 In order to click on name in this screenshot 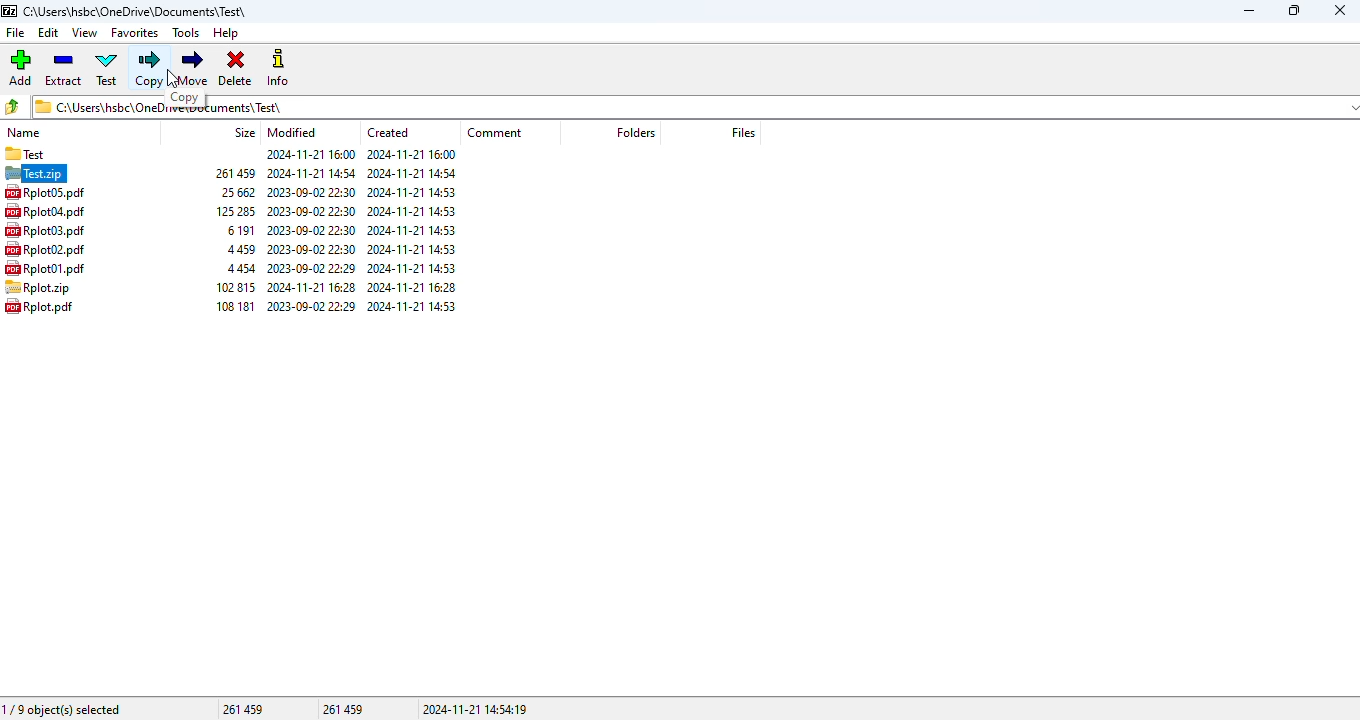, I will do `click(25, 132)`.